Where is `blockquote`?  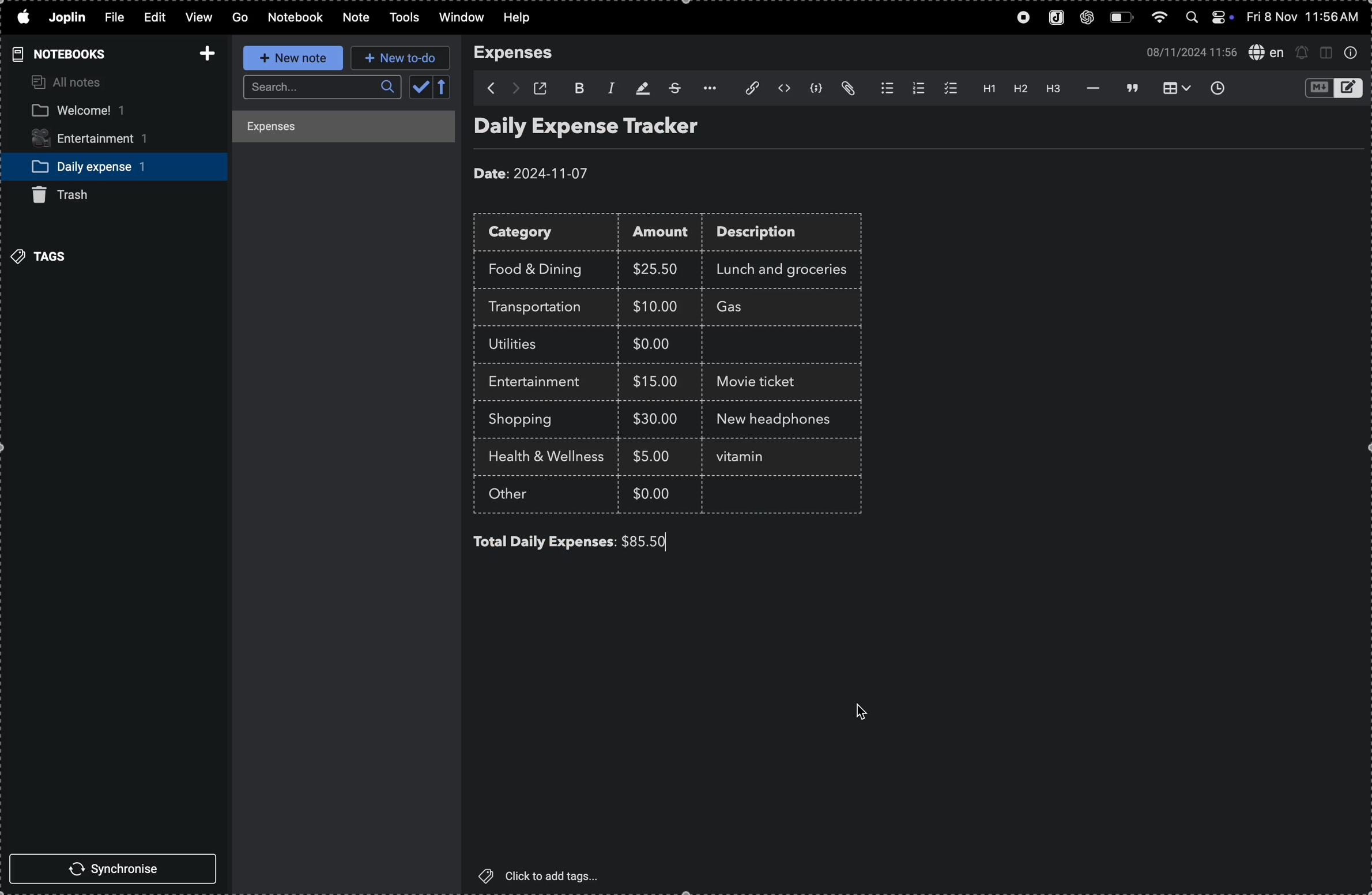 blockquote is located at coordinates (1129, 88).